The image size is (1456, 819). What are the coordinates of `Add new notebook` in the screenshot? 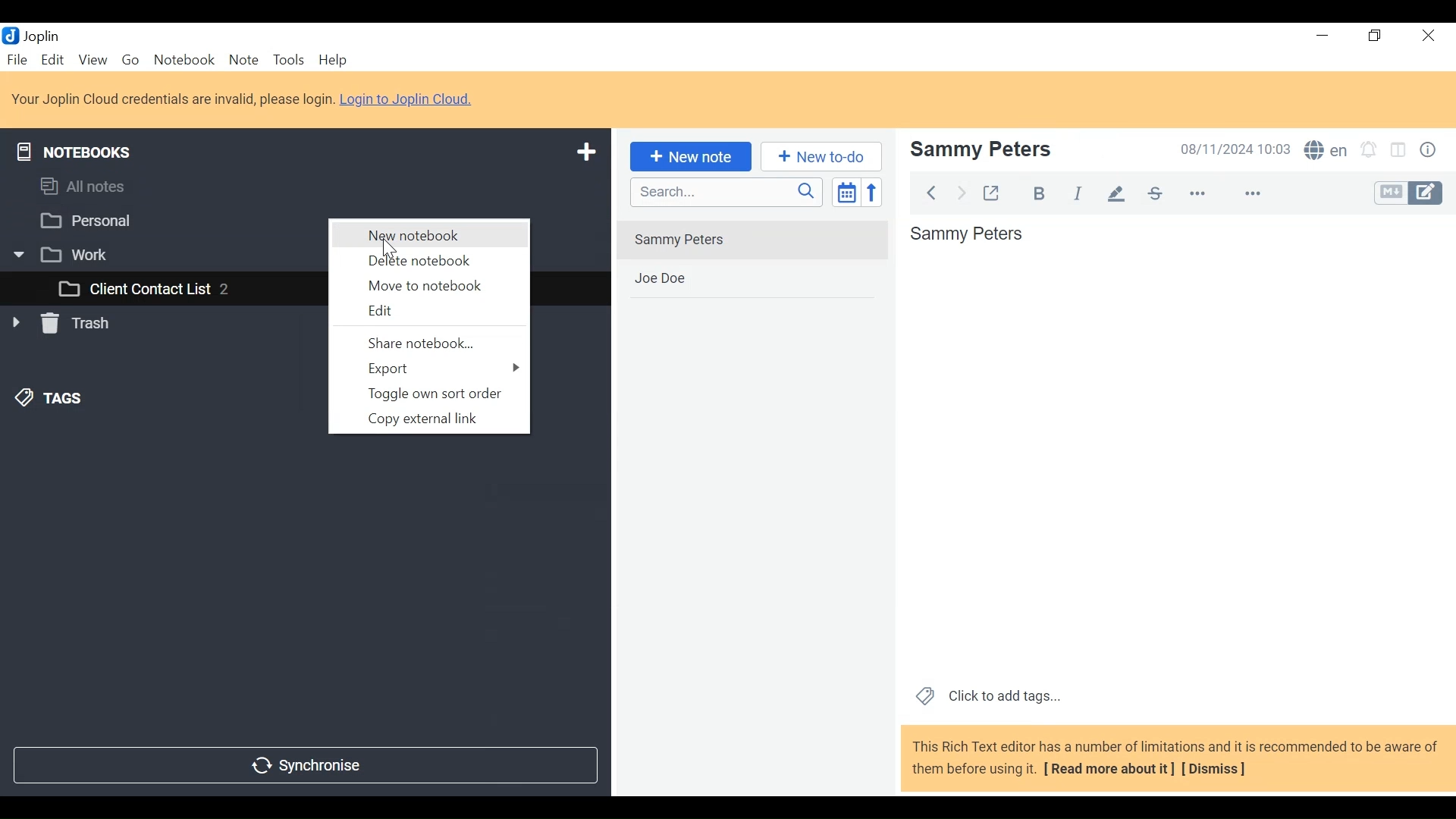 It's located at (586, 154).